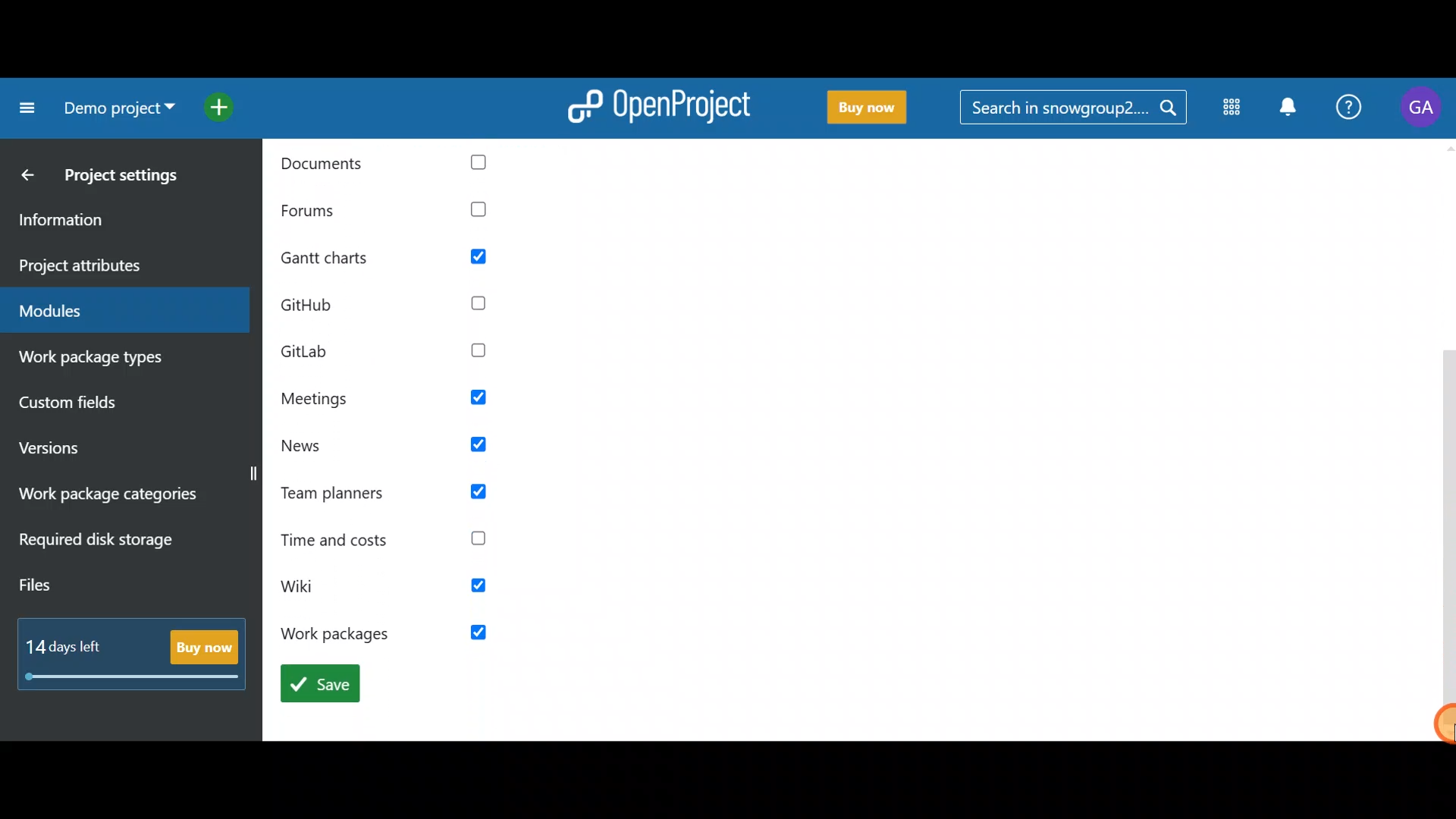 The width and height of the screenshot is (1456, 819). What do you see at coordinates (397, 307) in the screenshot?
I see `github` at bounding box center [397, 307].